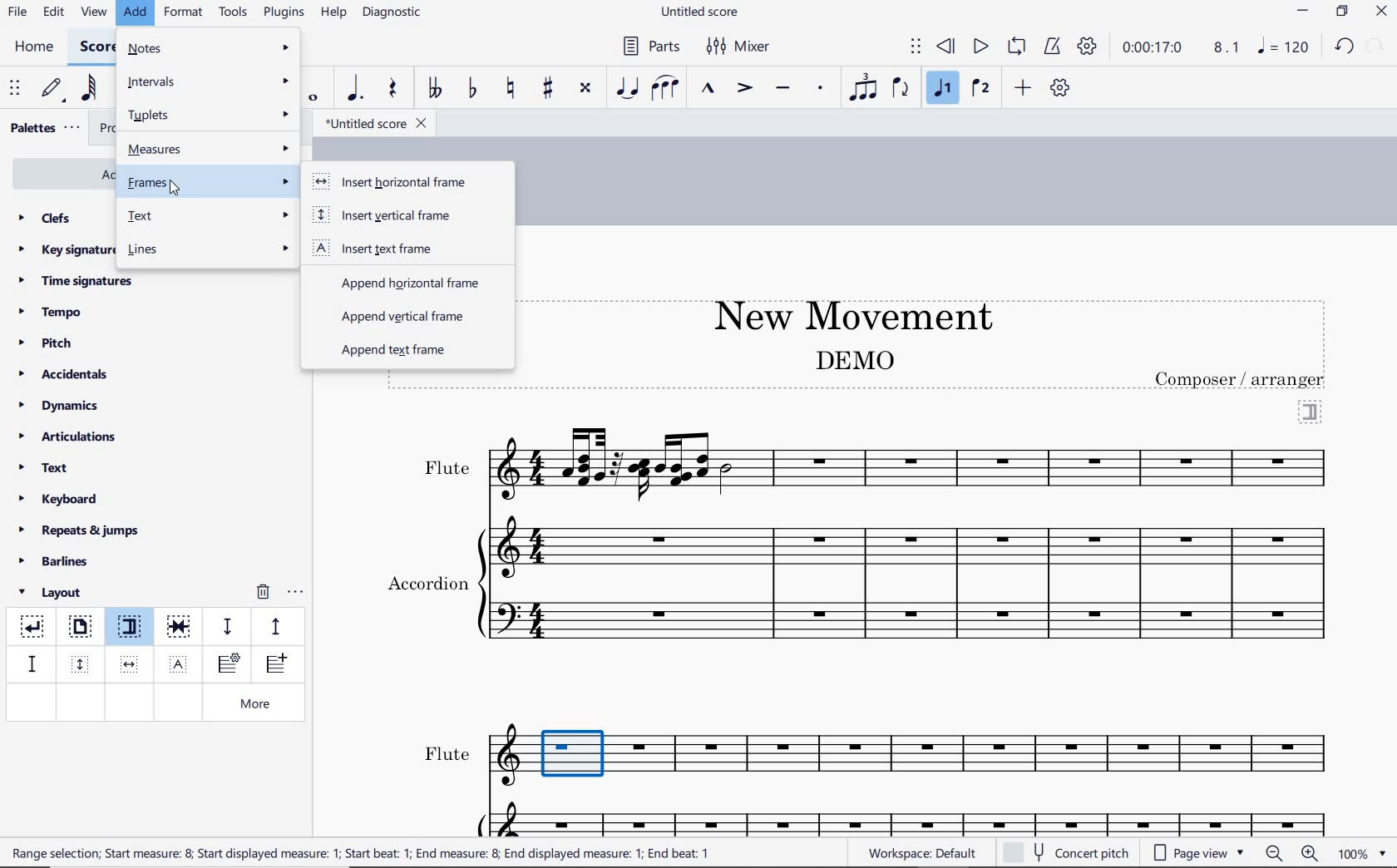 The width and height of the screenshot is (1397, 868). Describe the element at coordinates (1061, 89) in the screenshot. I see `customize toolbar` at that location.